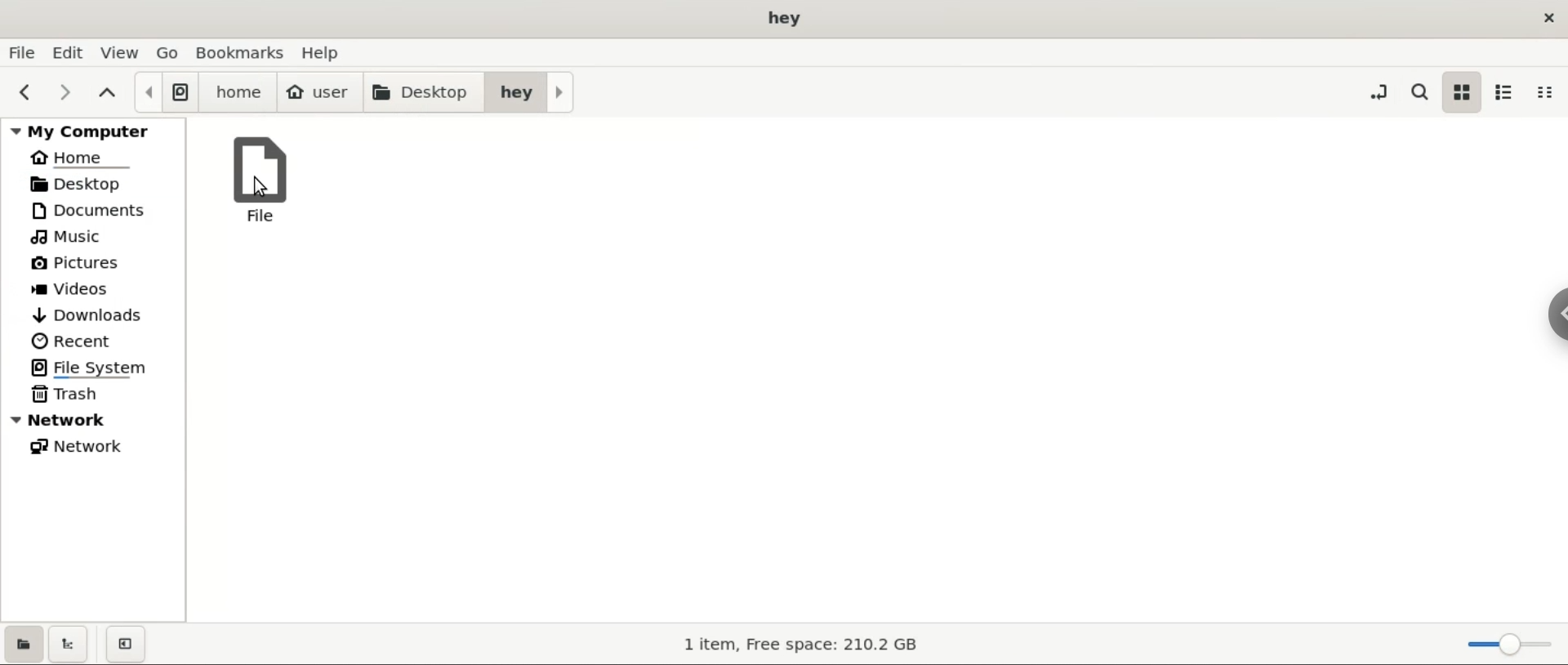  Describe the element at coordinates (66, 643) in the screenshot. I see `show treeview` at that location.